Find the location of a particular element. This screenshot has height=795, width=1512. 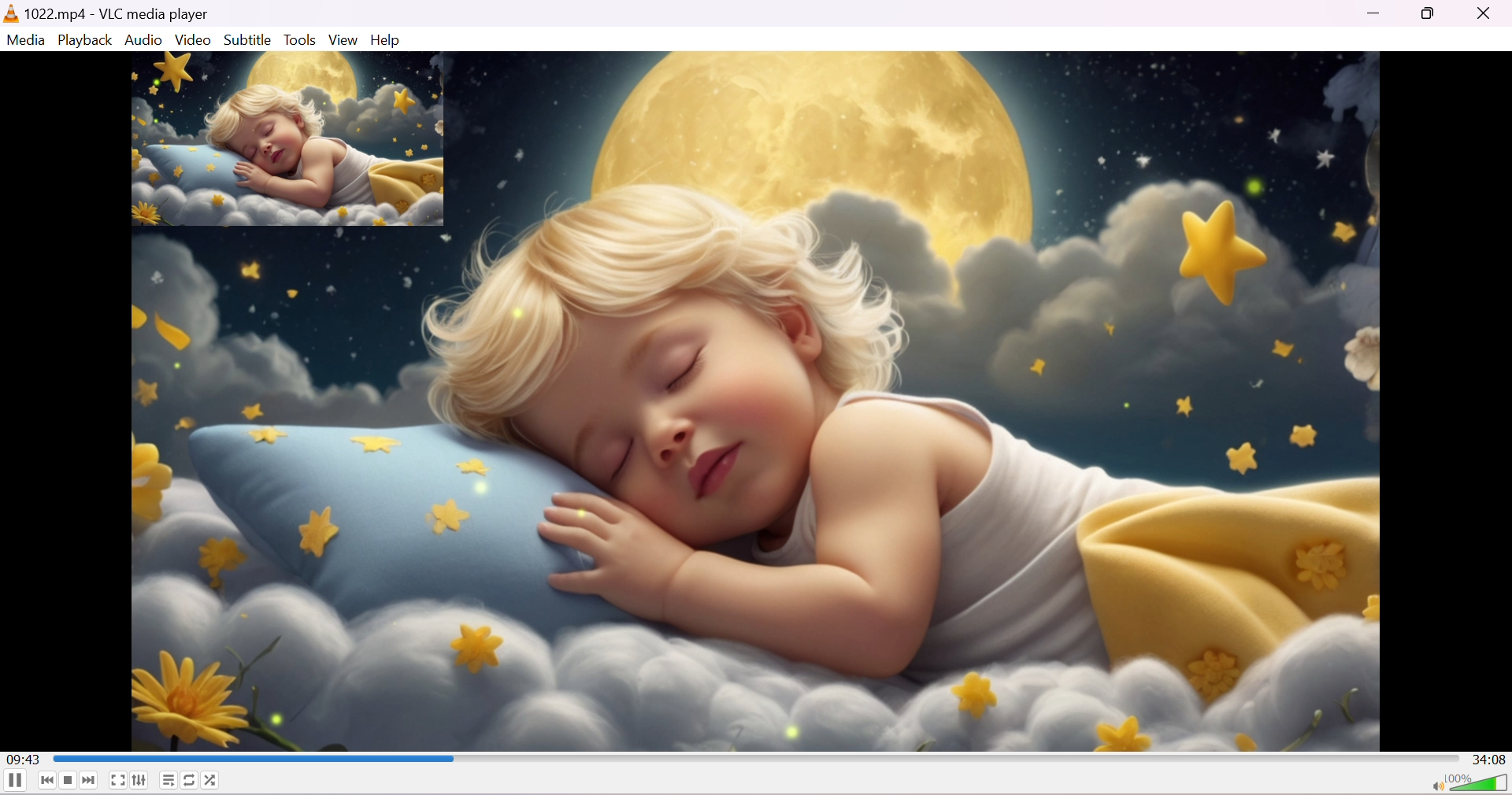

Media is located at coordinates (28, 40).